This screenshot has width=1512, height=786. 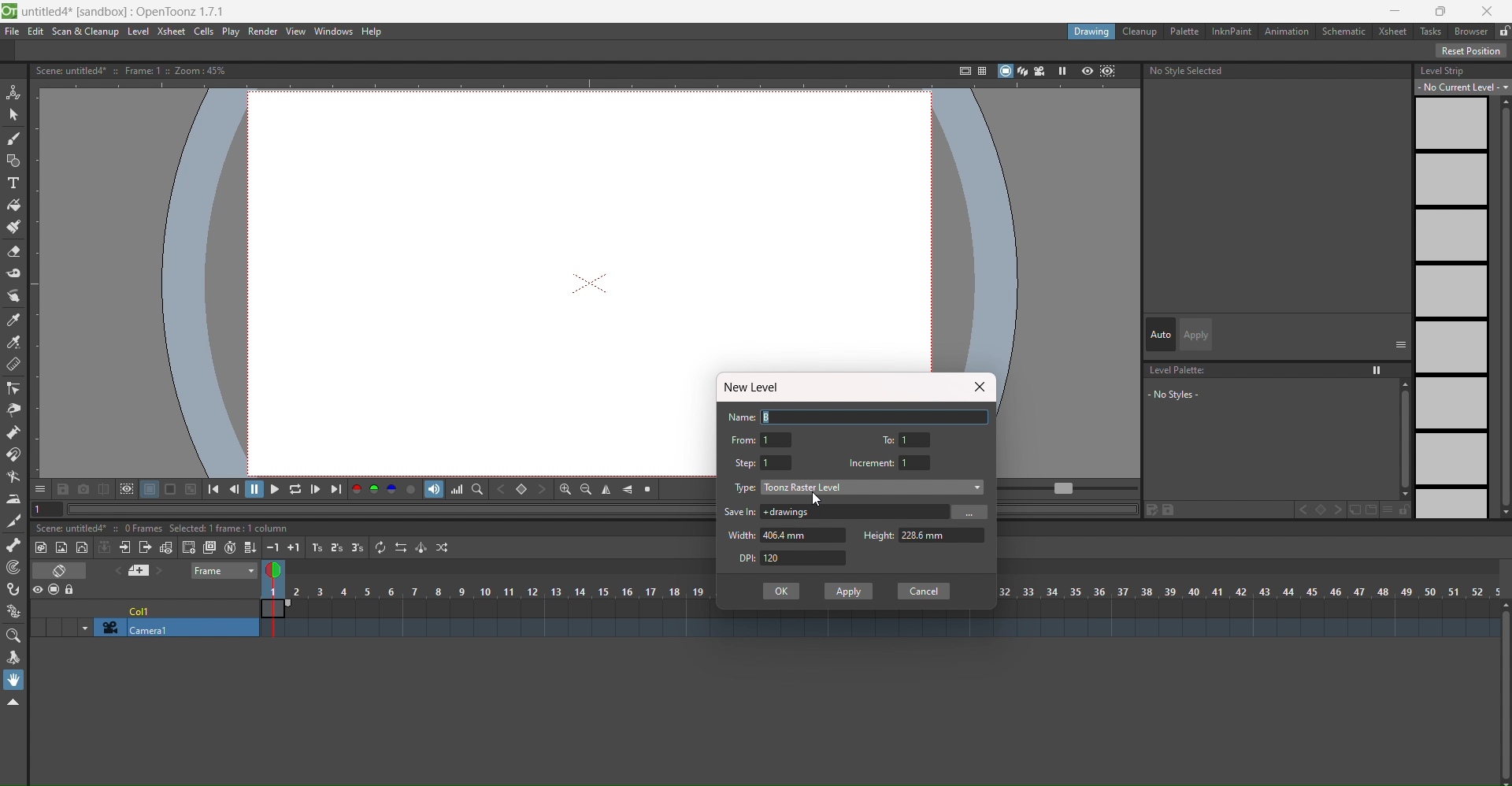 I want to click on random, so click(x=444, y=547).